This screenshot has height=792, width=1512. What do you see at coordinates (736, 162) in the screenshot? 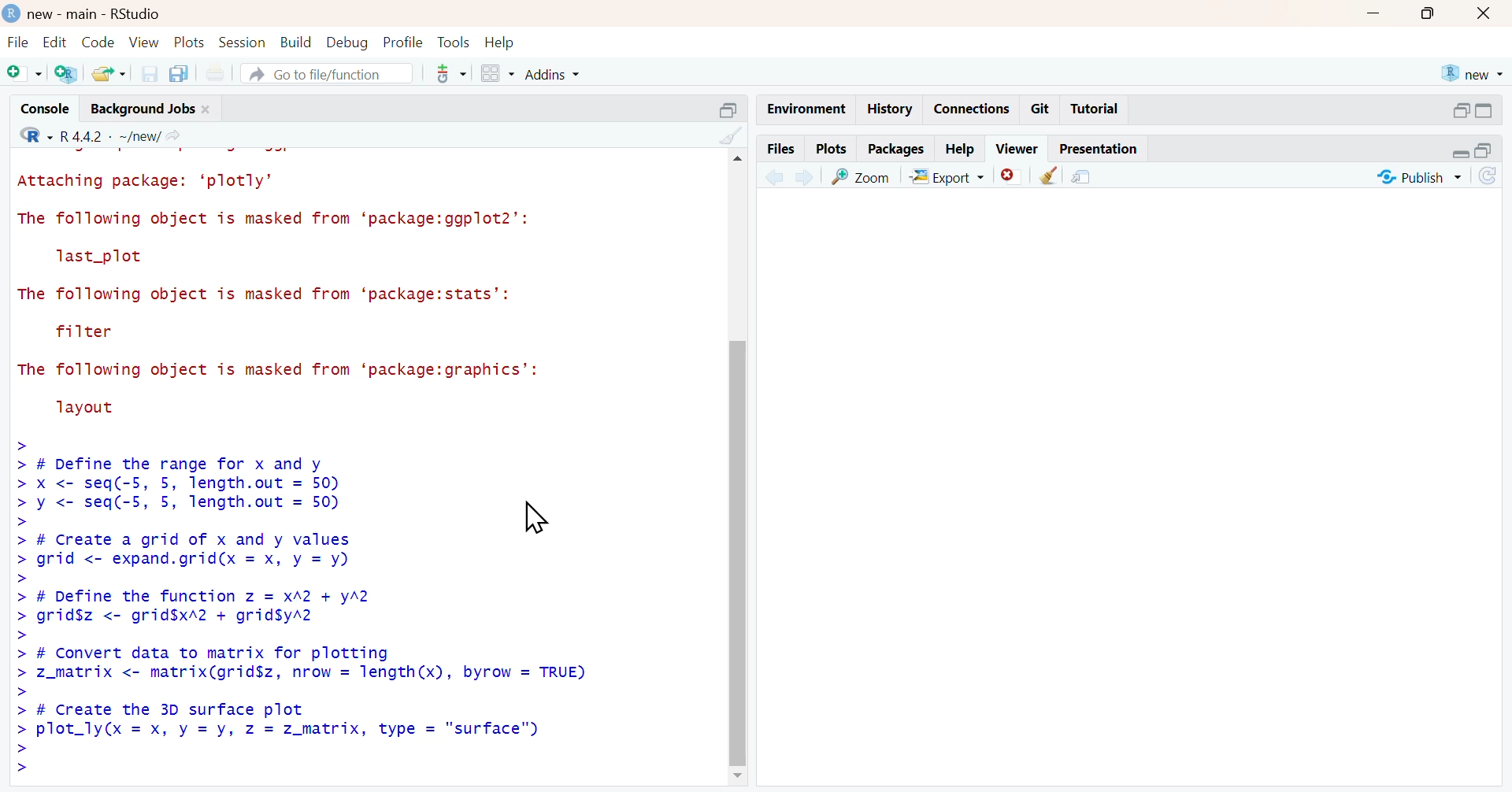
I see `move up` at bounding box center [736, 162].